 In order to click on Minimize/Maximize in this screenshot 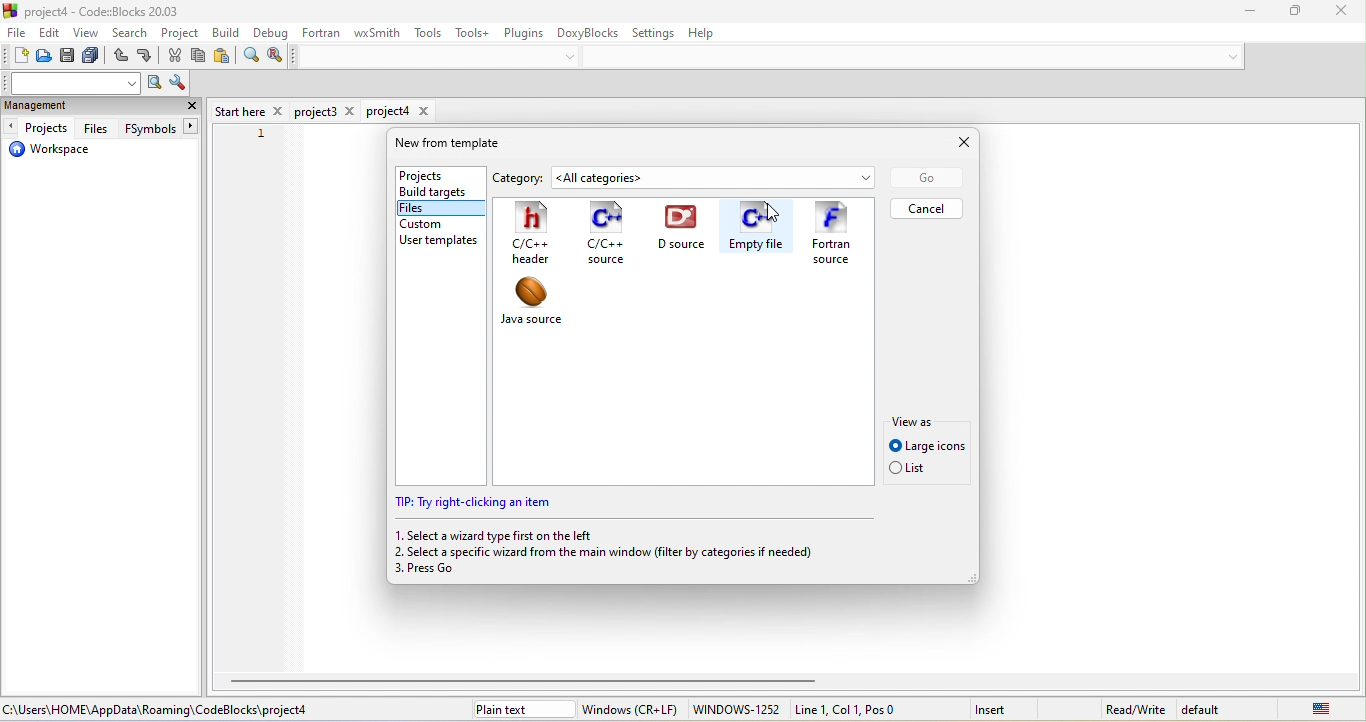, I will do `click(1287, 12)`.